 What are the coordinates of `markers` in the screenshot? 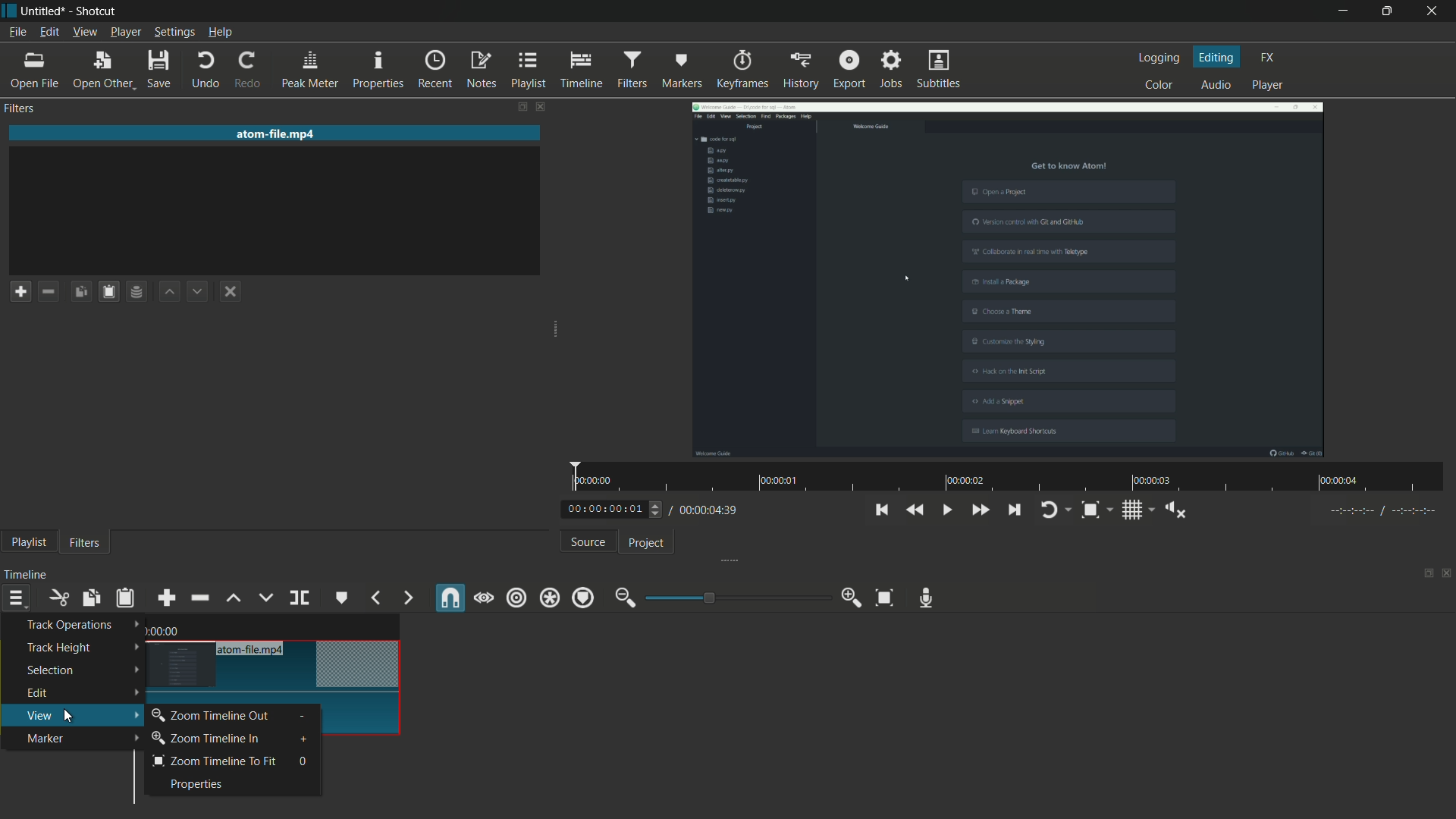 It's located at (683, 69).